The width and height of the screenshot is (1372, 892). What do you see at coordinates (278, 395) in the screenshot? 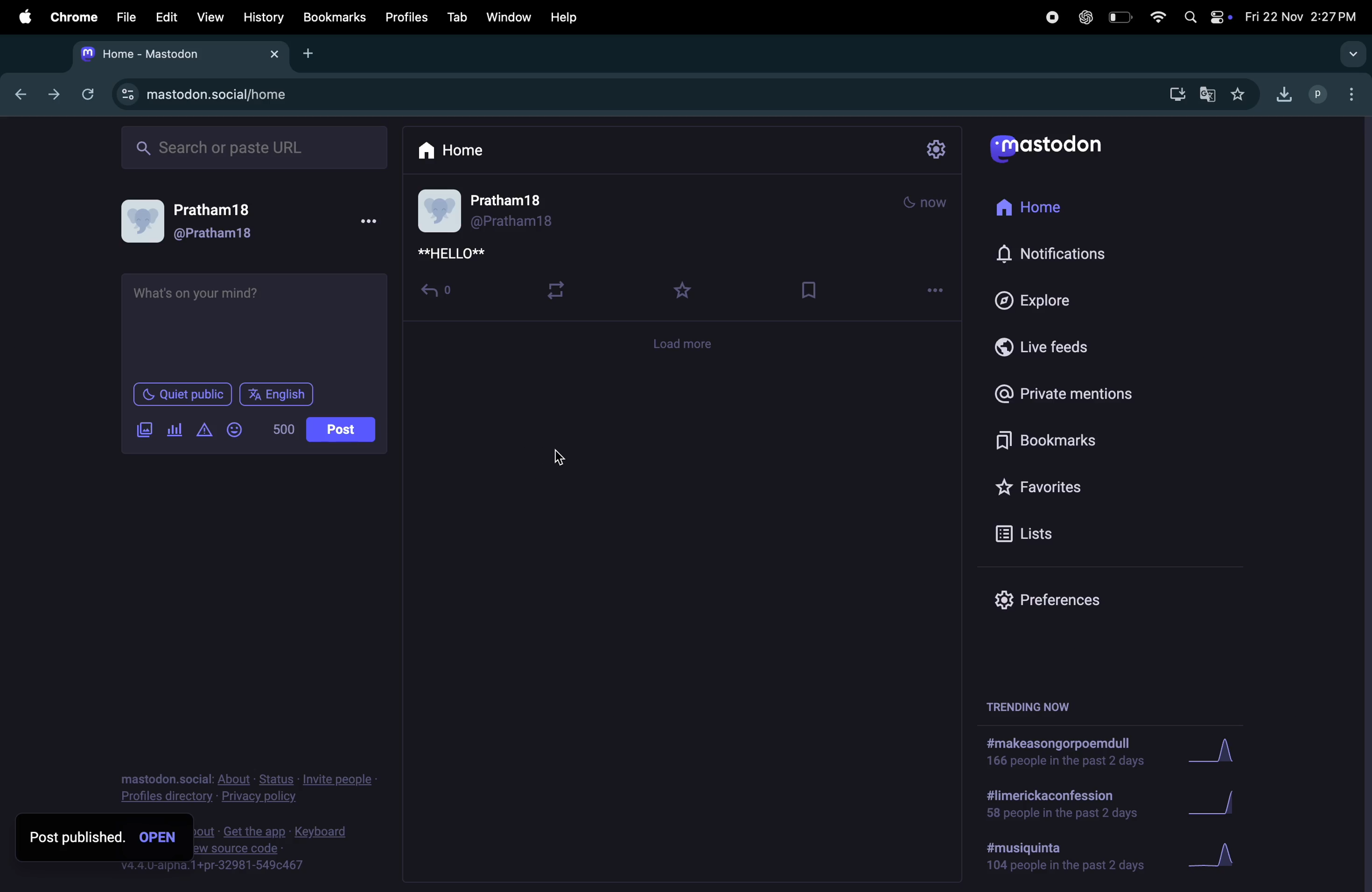
I see `language` at bounding box center [278, 395].